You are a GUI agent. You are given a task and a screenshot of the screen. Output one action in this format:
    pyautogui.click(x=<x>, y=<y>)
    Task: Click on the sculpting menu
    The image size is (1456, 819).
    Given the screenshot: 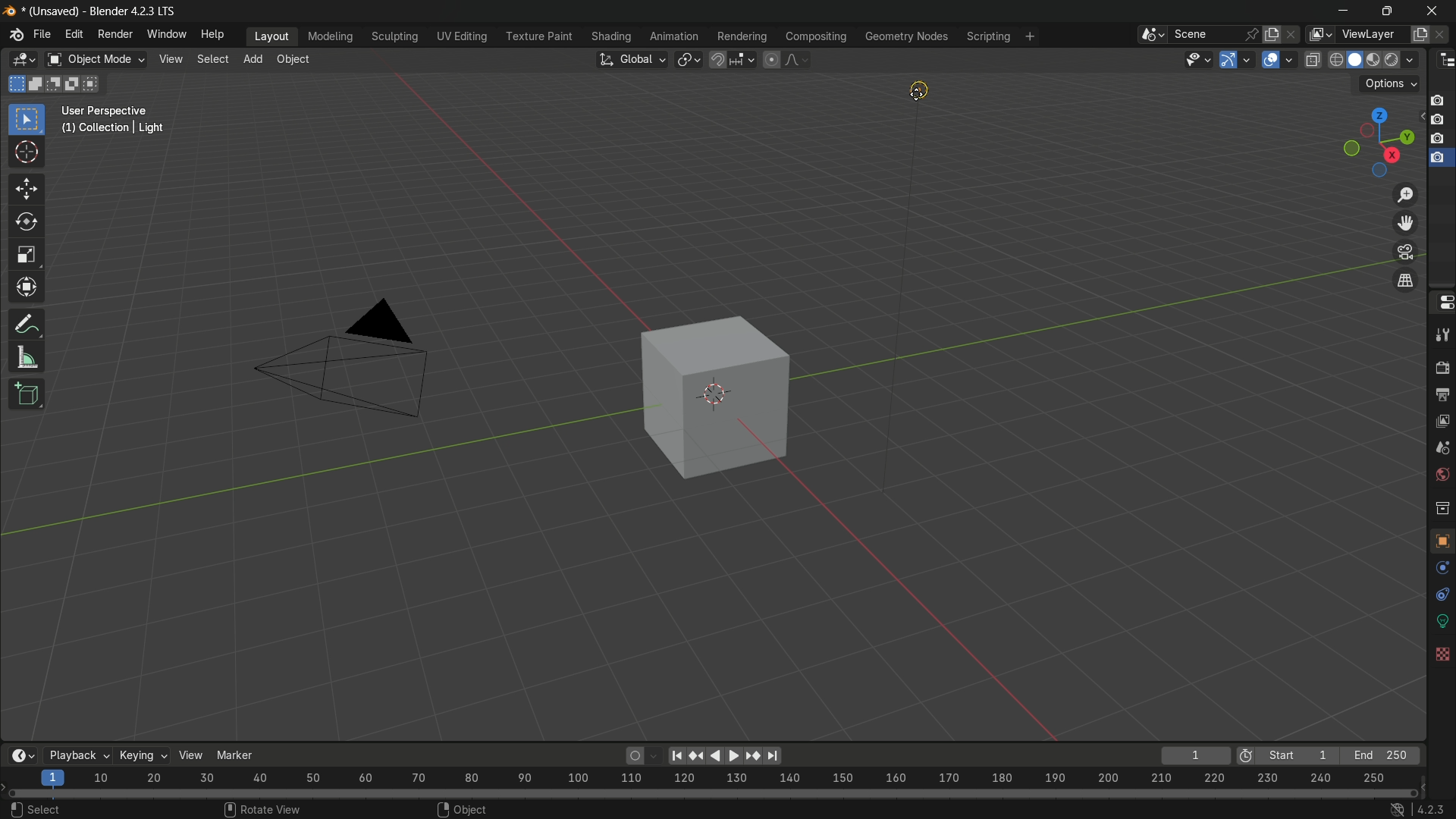 What is the action you would take?
    pyautogui.click(x=395, y=37)
    